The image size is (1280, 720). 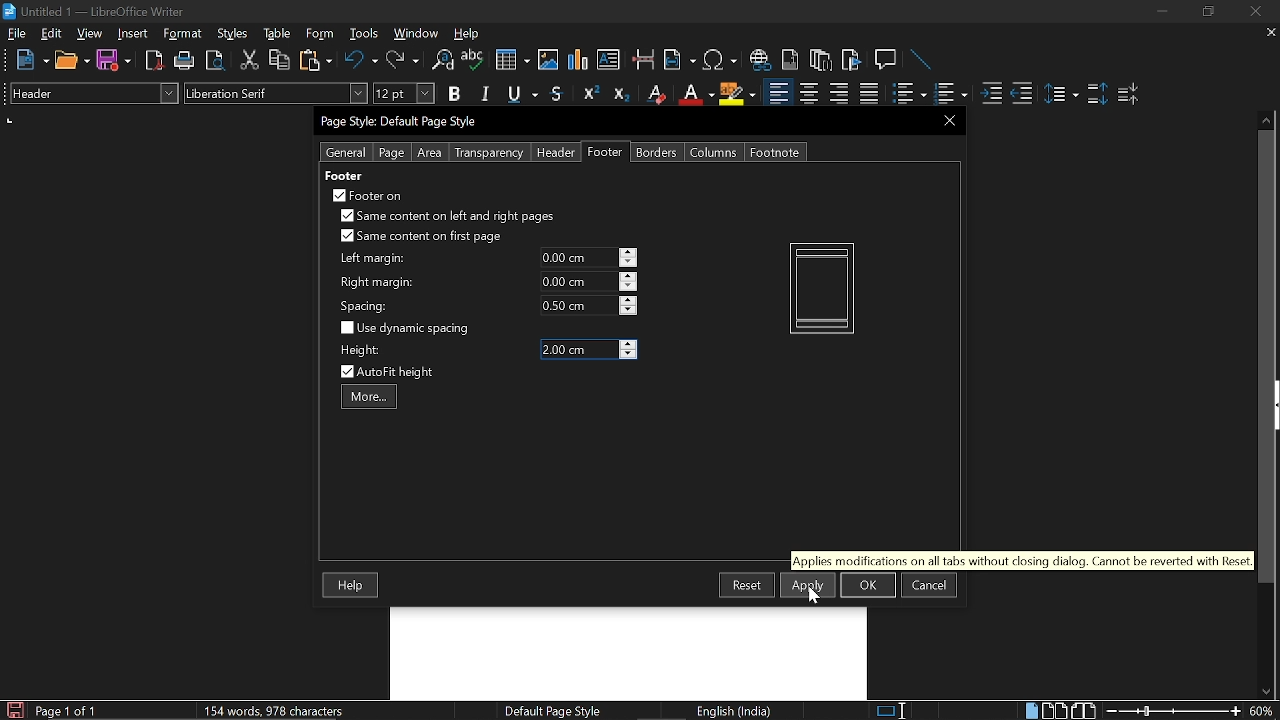 I want to click on height, so click(x=362, y=351).